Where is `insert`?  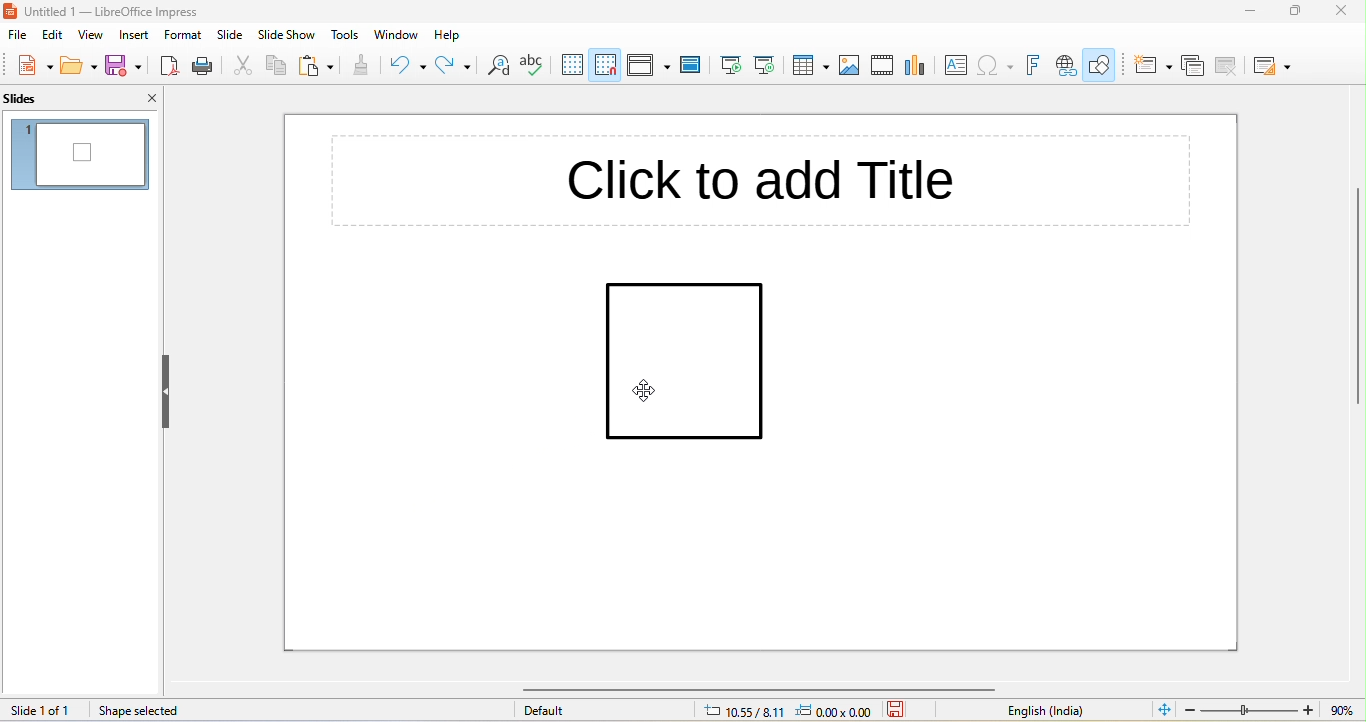
insert is located at coordinates (133, 35).